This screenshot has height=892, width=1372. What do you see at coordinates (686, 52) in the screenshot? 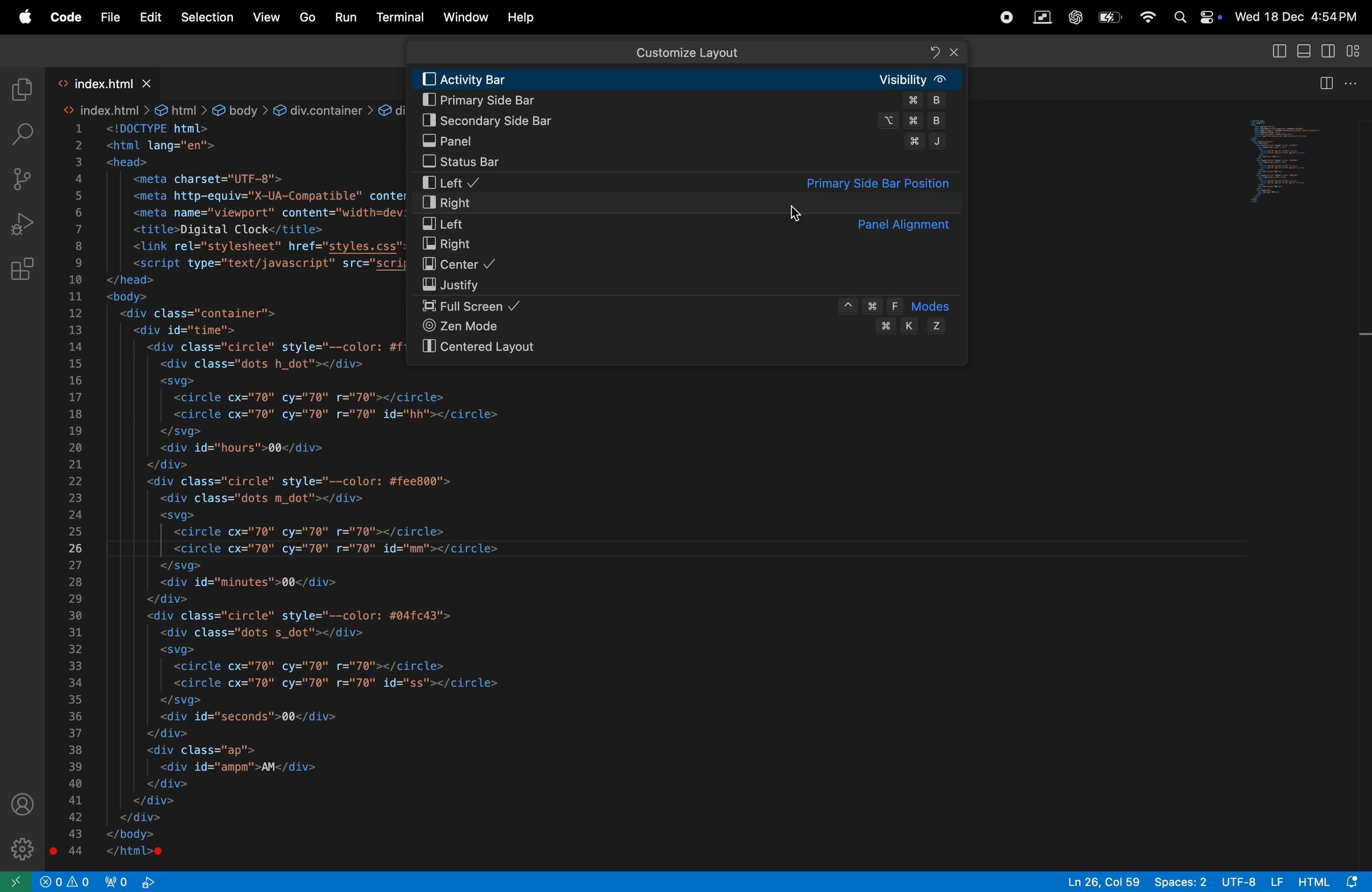
I see `Customize Layout` at bounding box center [686, 52].